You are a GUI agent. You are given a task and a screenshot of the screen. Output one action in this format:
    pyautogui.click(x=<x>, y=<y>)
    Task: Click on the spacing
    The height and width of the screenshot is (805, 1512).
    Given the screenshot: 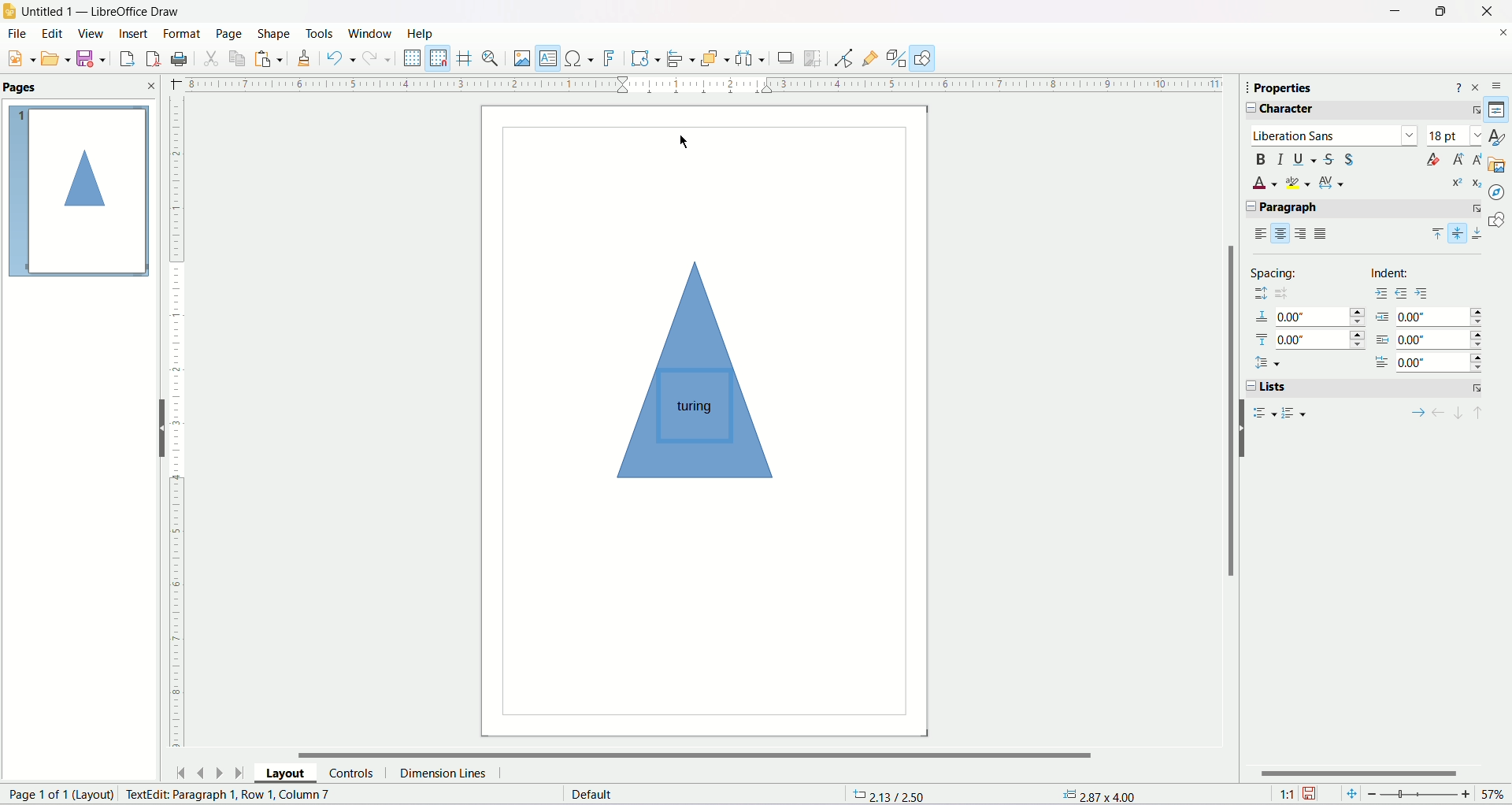 What is the action you would take?
    pyautogui.click(x=1306, y=319)
    